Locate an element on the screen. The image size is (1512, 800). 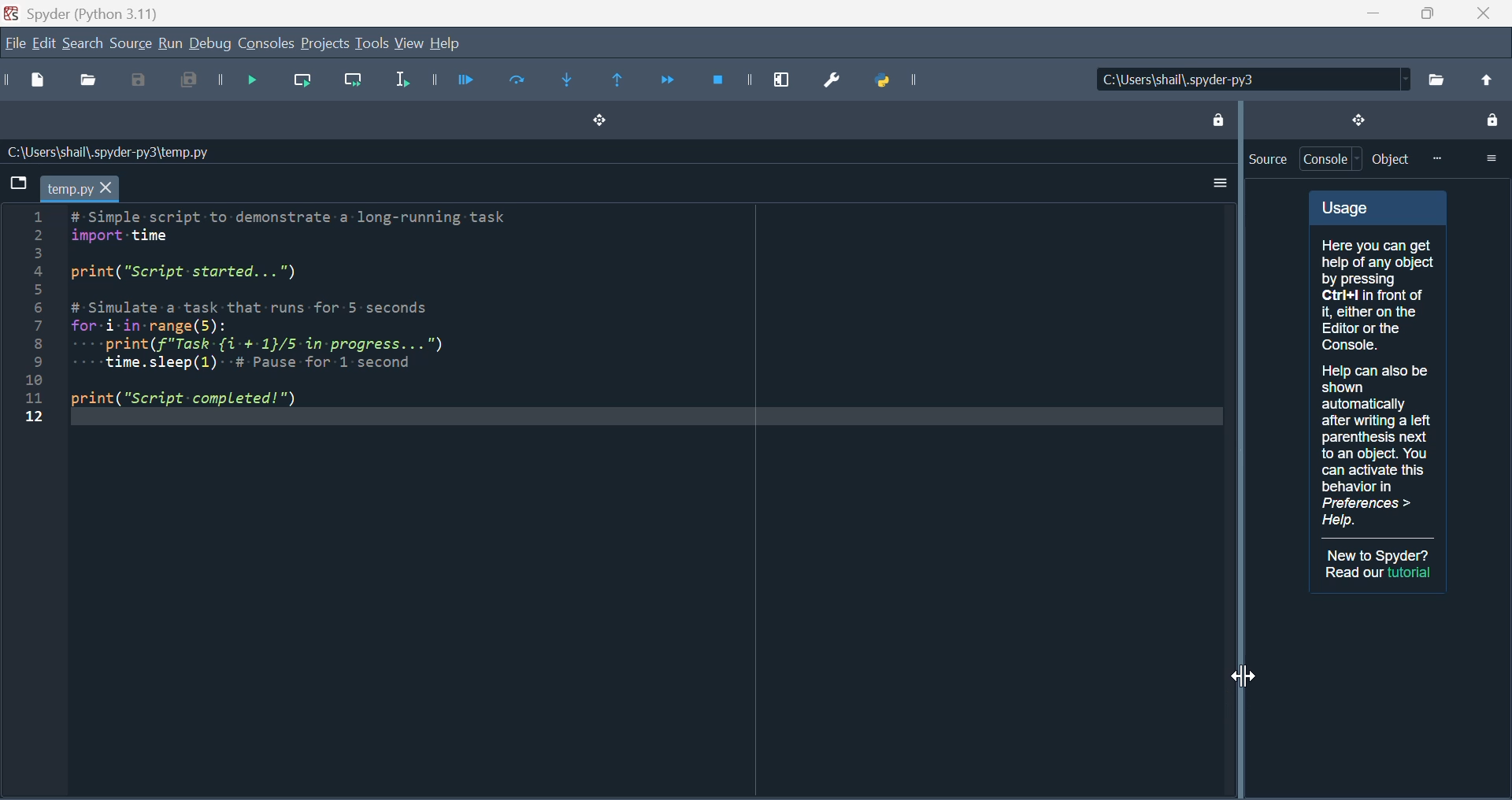
Run current line is located at coordinates (305, 82).